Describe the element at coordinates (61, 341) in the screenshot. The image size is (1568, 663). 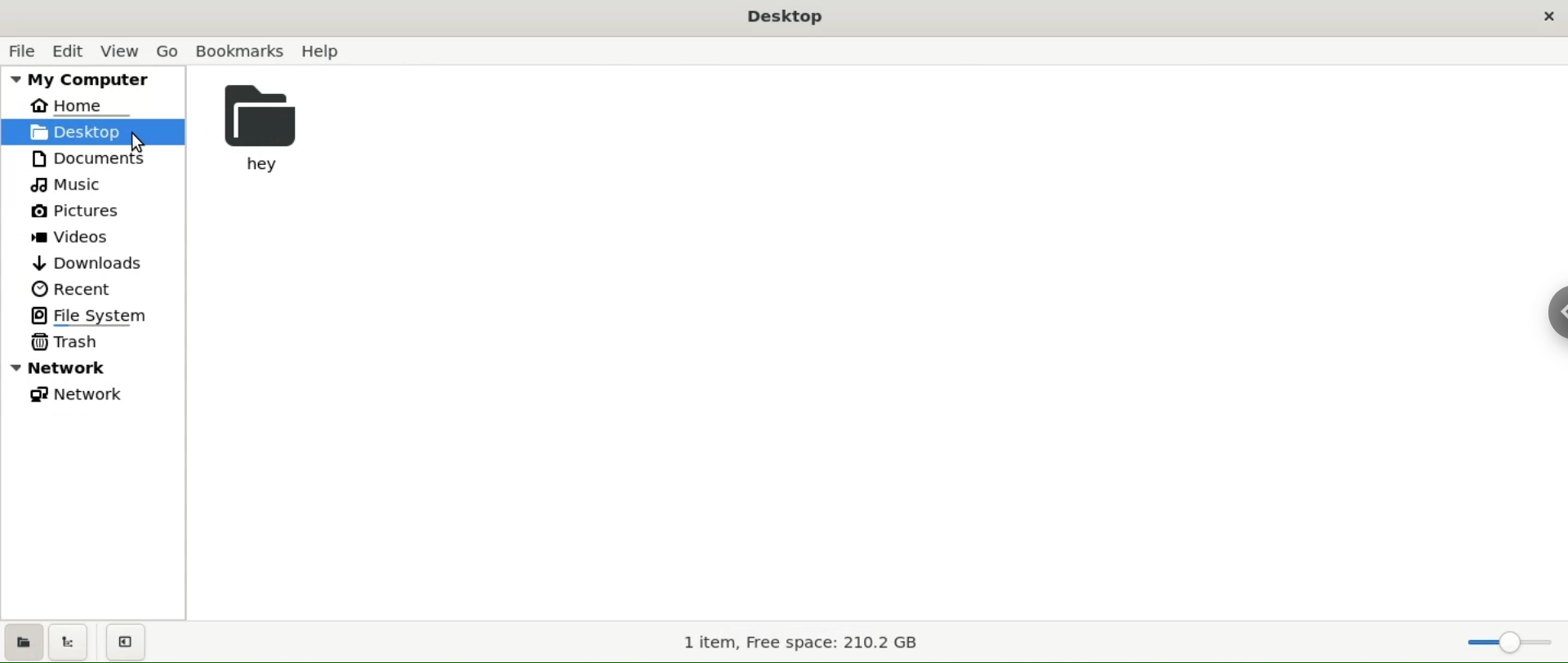
I see `trash` at that location.